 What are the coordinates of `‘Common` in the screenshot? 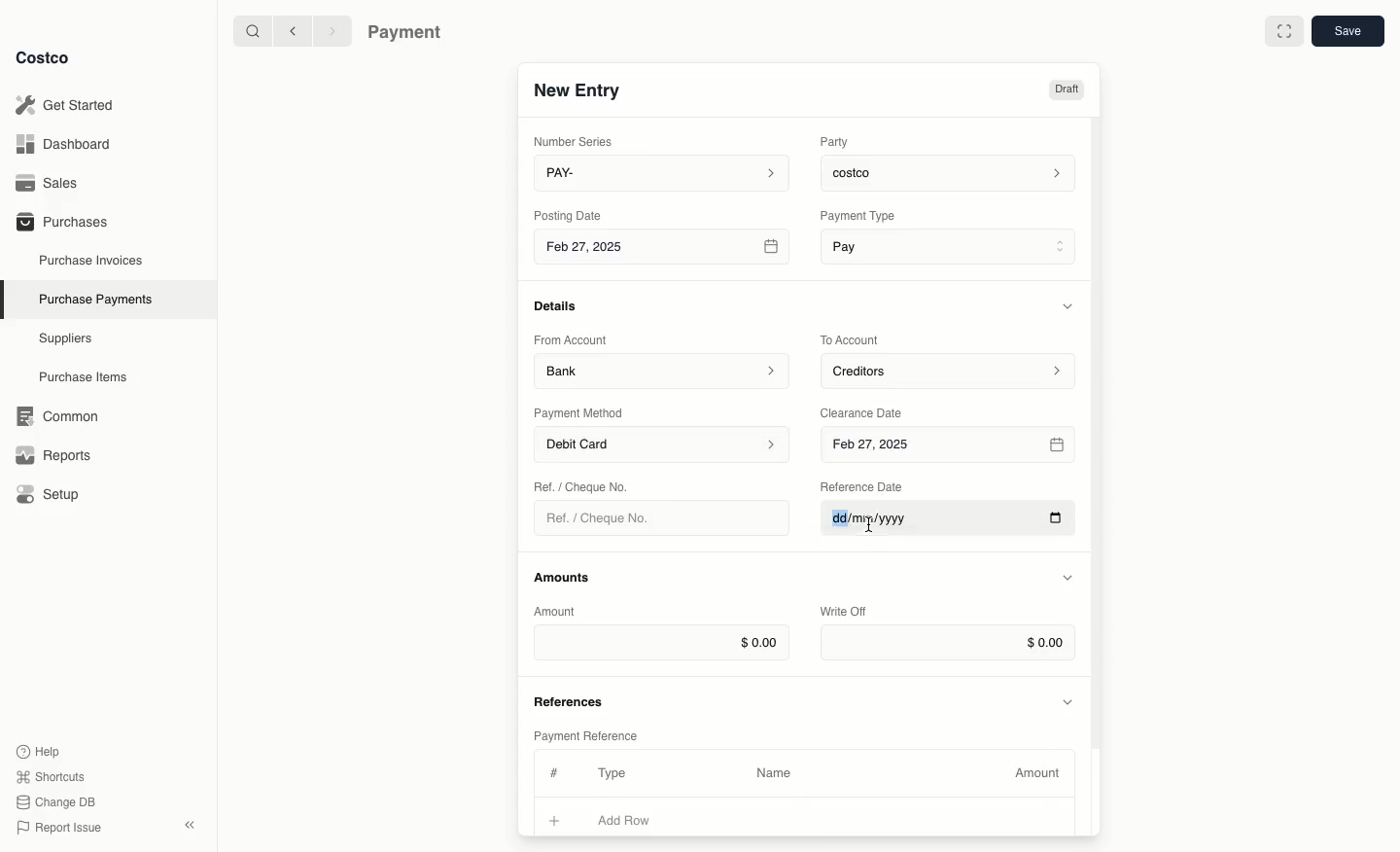 It's located at (61, 413).